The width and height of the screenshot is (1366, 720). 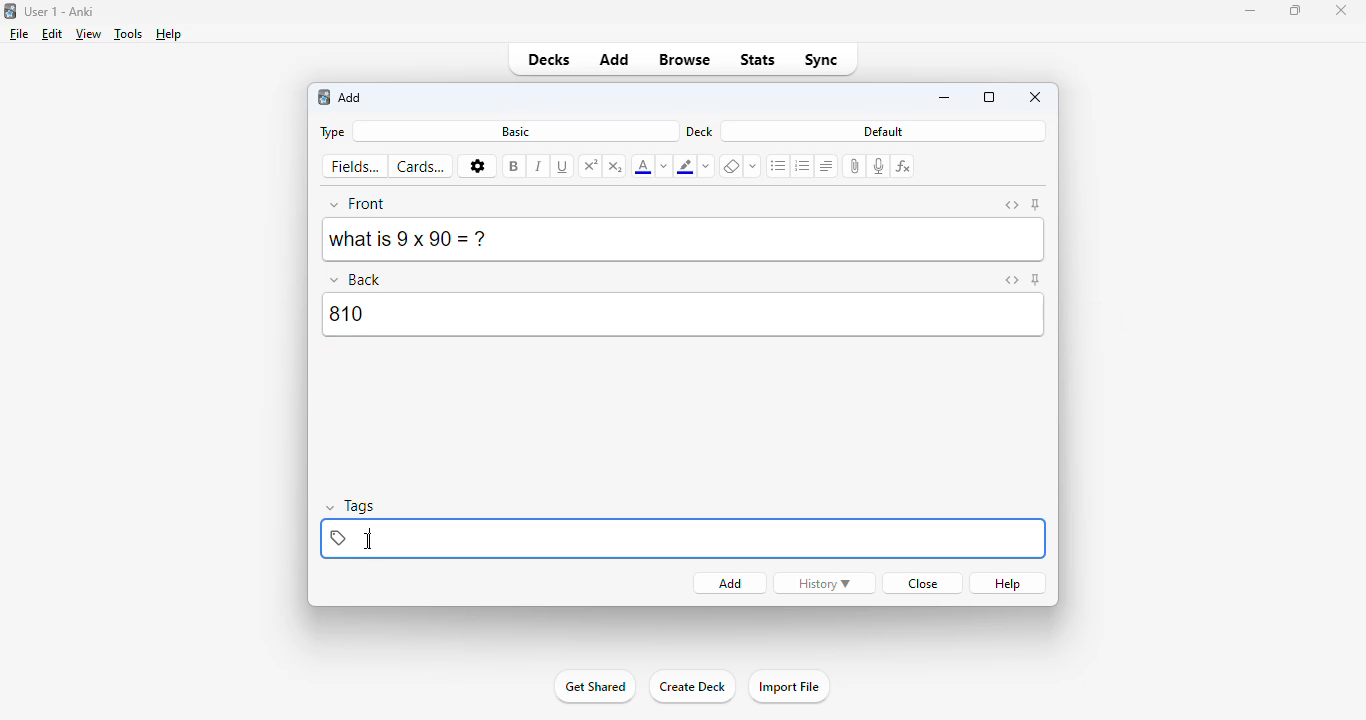 I want to click on subscript, so click(x=616, y=166).